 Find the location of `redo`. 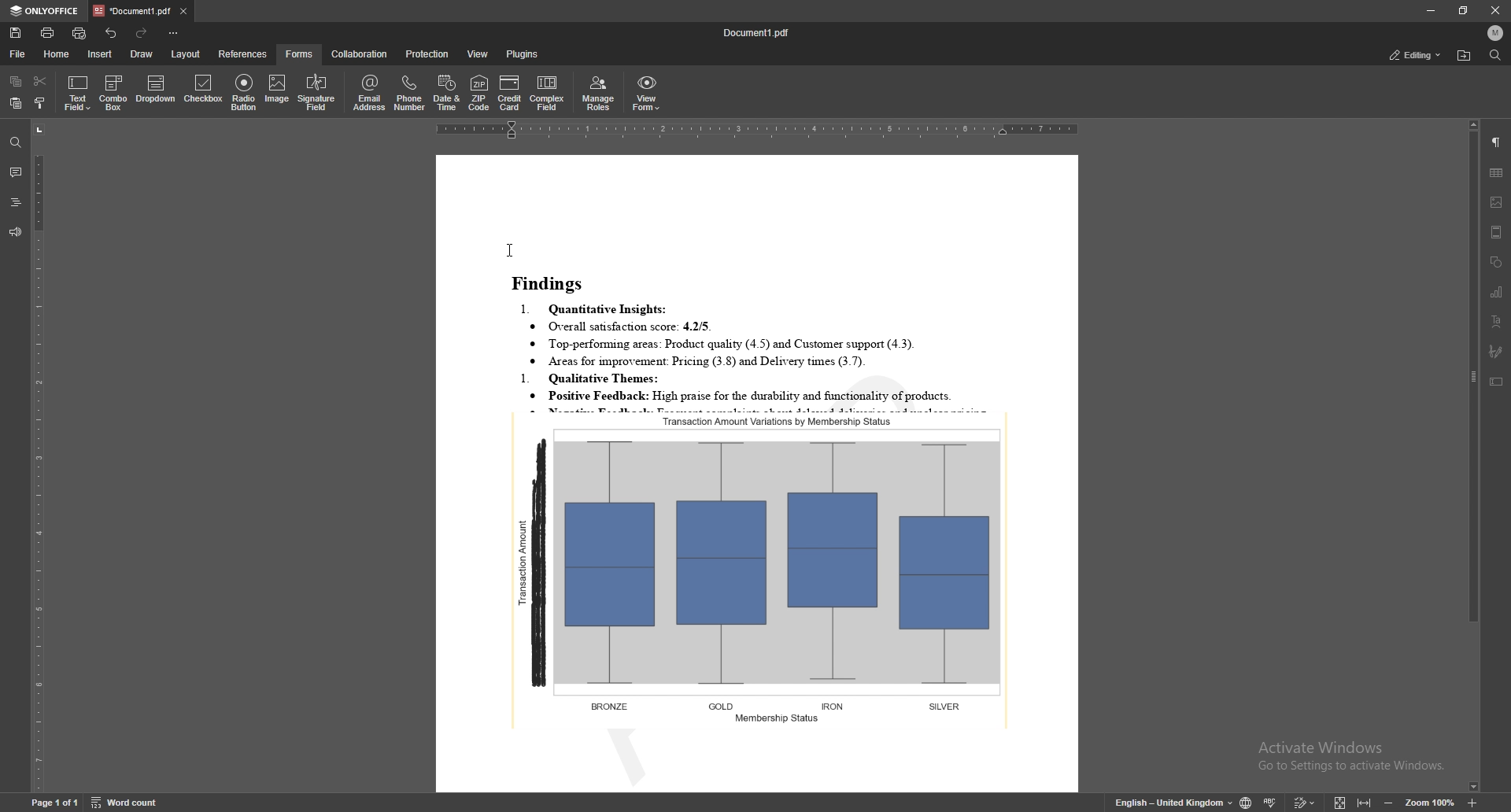

redo is located at coordinates (143, 34).